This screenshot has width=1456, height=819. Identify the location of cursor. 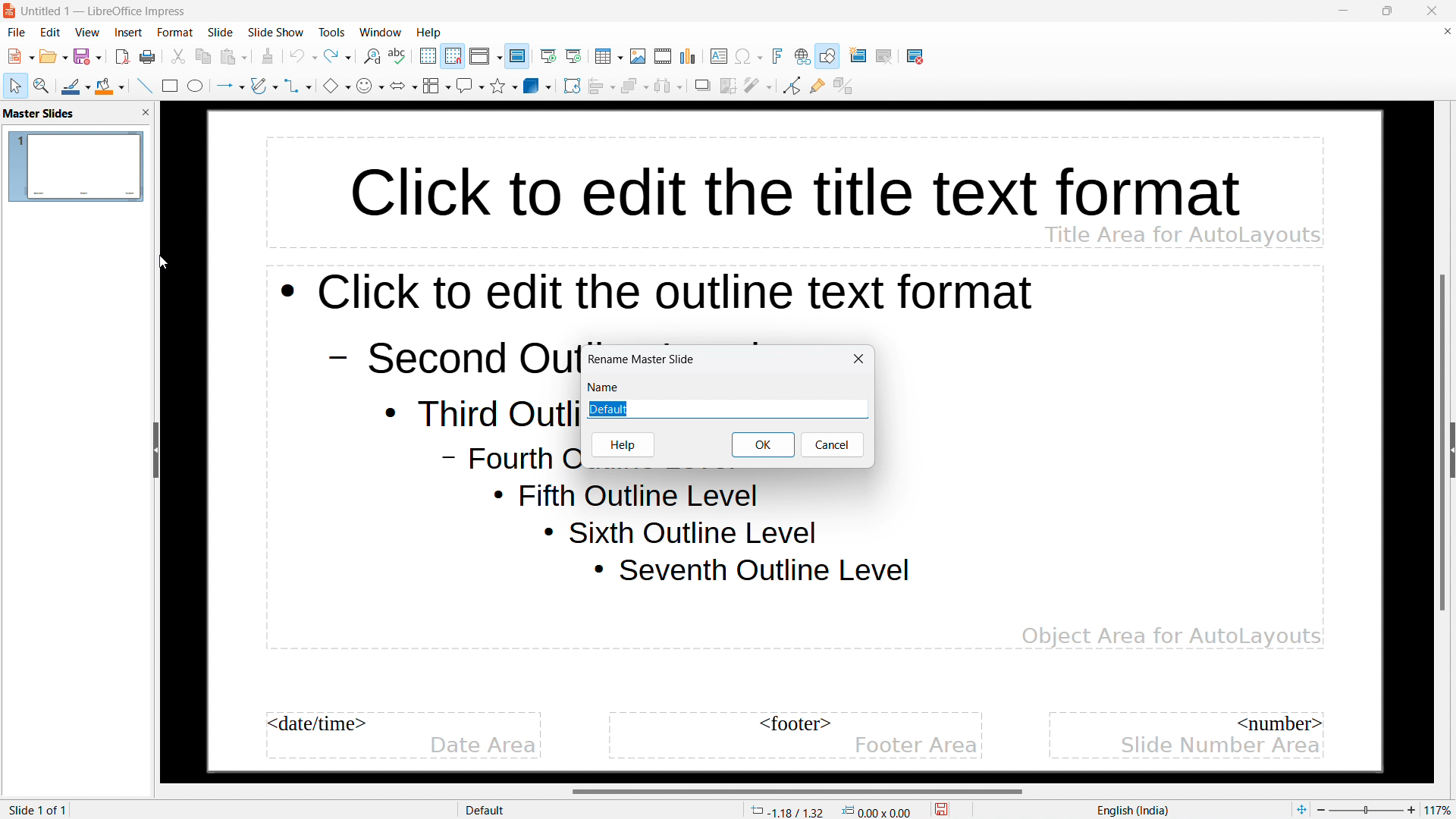
(165, 263).